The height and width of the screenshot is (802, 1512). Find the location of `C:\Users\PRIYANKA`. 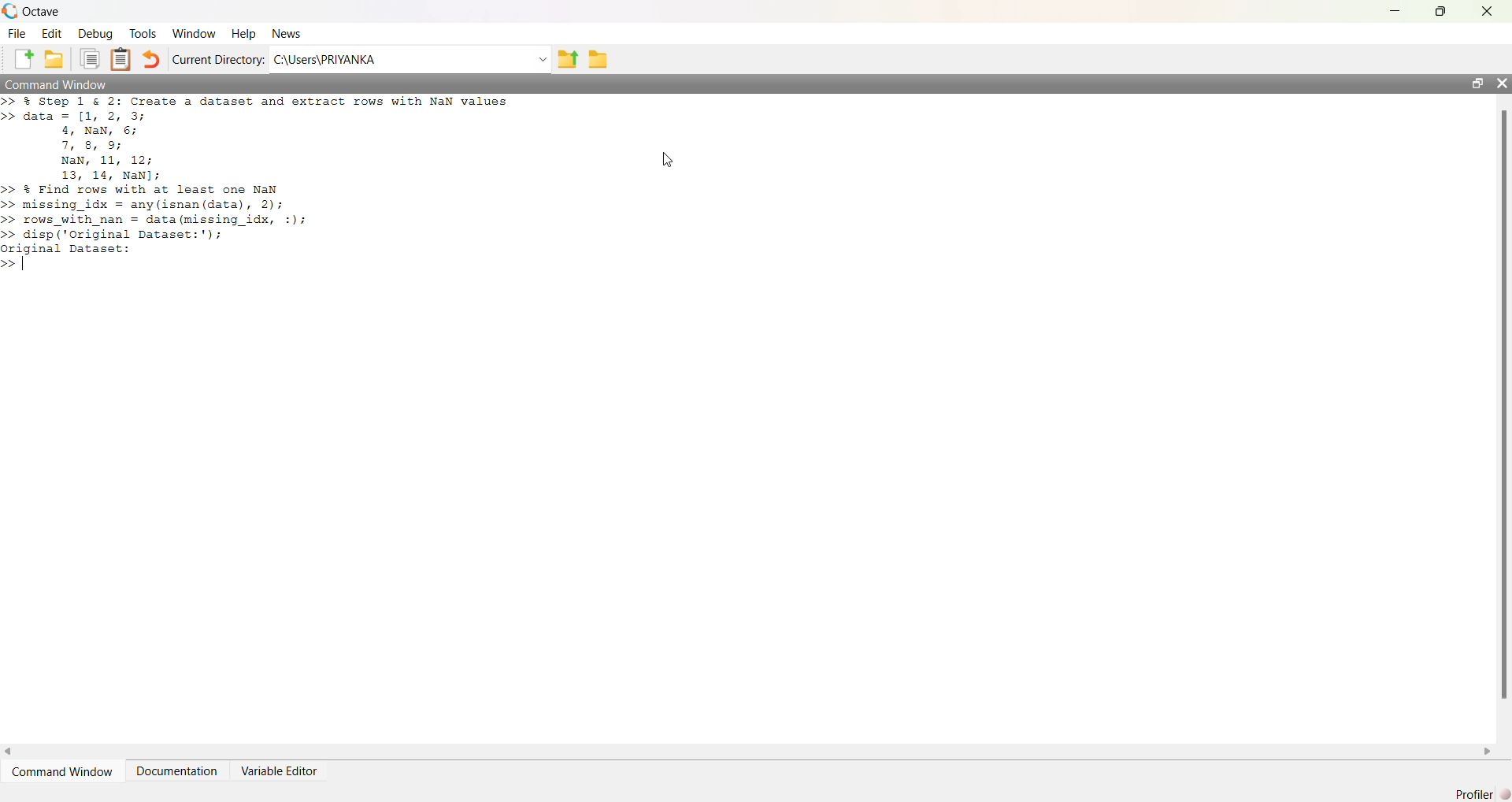

C:\Users\PRIYANKA is located at coordinates (324, 59).